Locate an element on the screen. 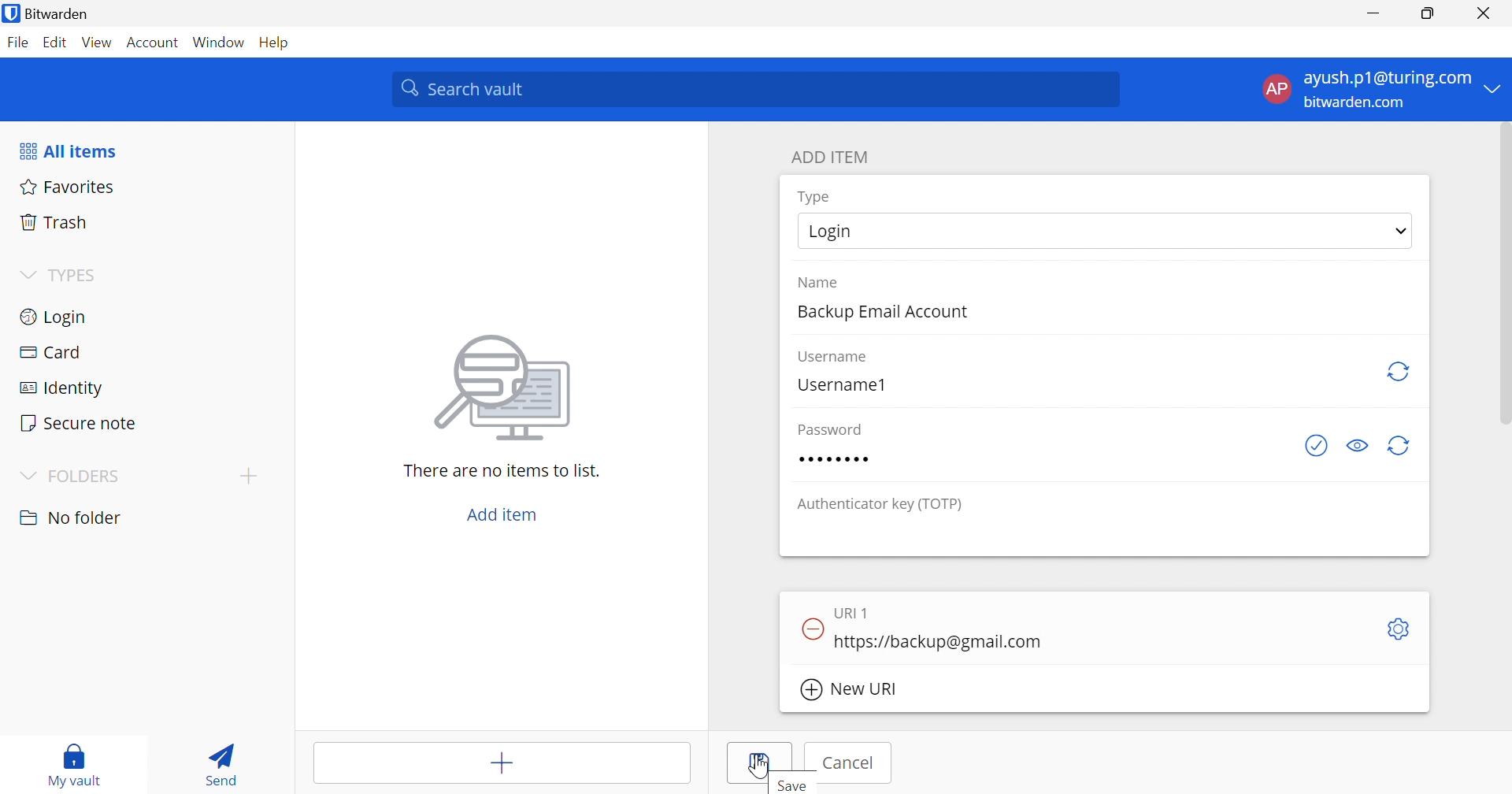  Bitwarden is located at coordinates (57, 13).